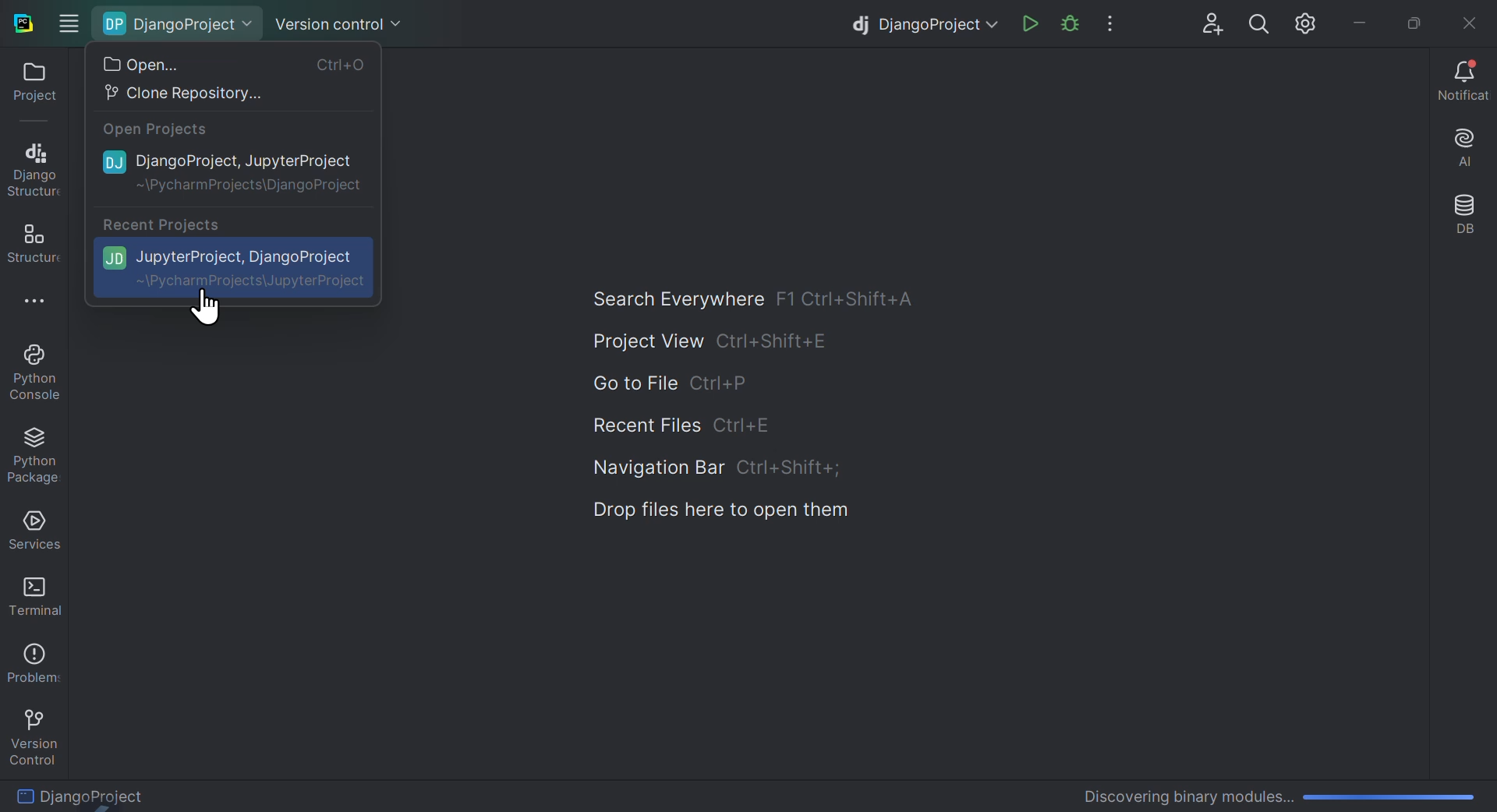  I want to click on Crusor, so click(202, 307).